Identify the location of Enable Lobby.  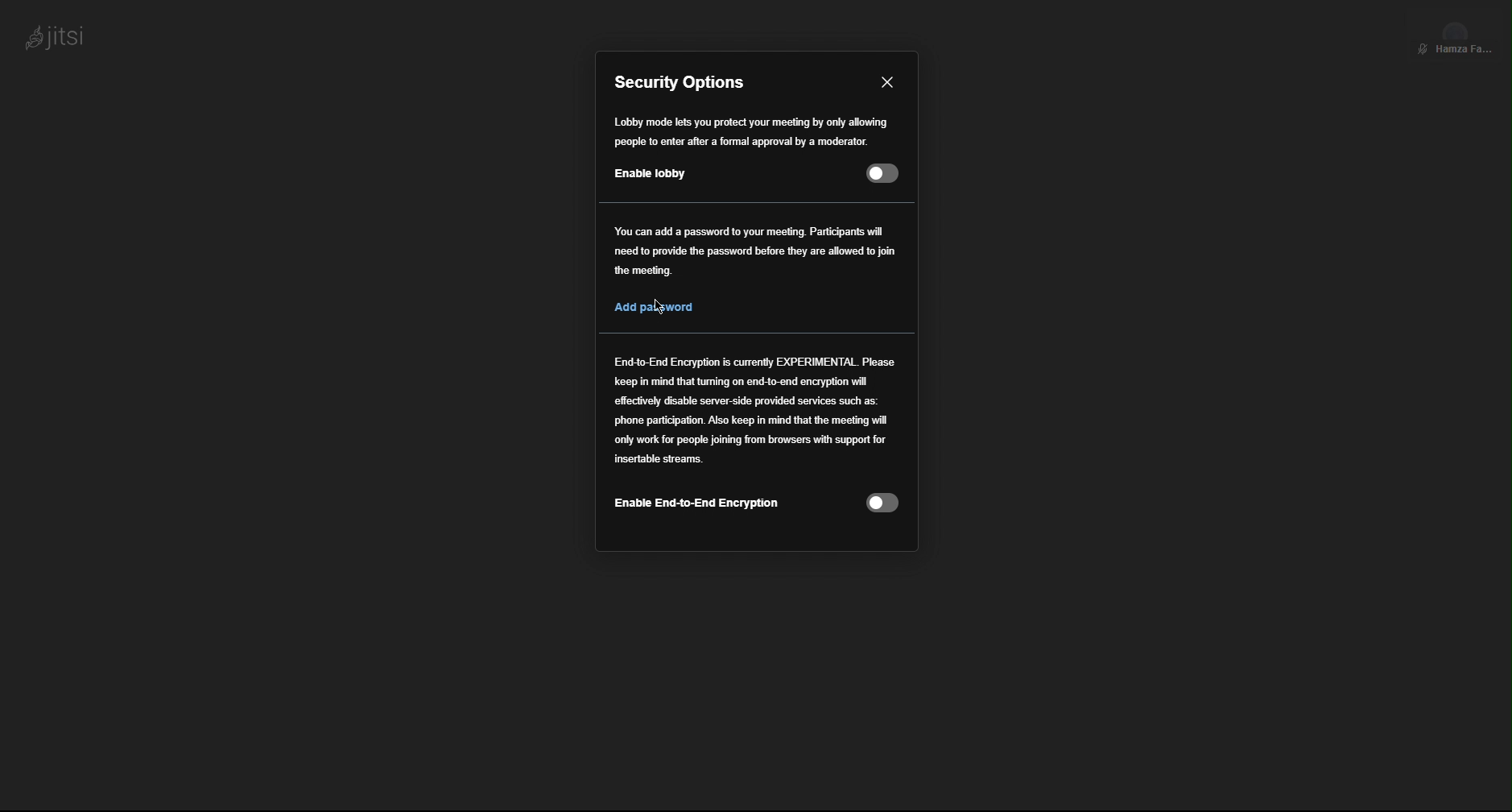
(751, 173).